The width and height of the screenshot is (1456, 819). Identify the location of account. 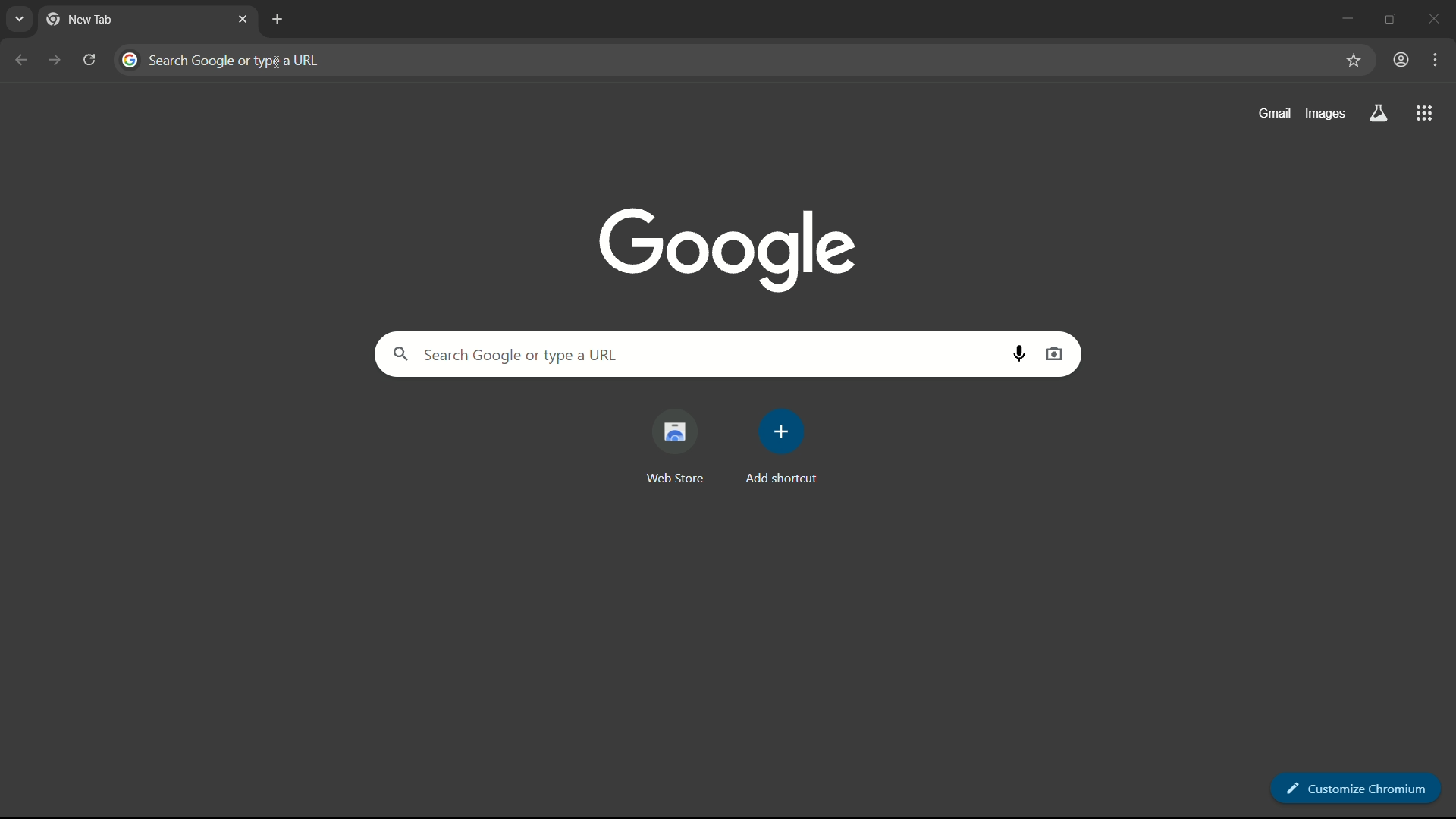
(1402, 60).